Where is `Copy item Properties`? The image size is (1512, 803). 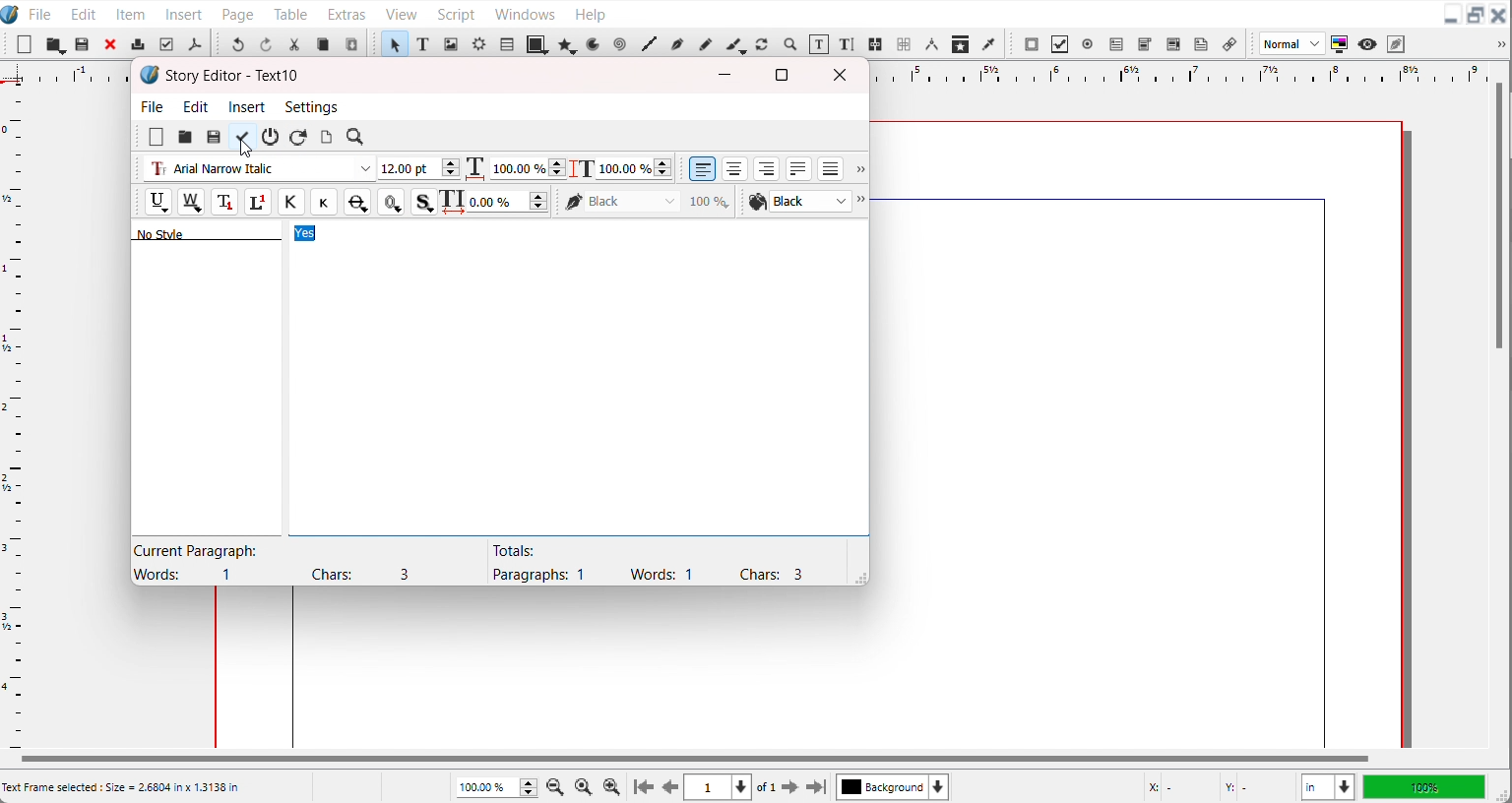 Copy item Properties is located at coordinates (961, 43).